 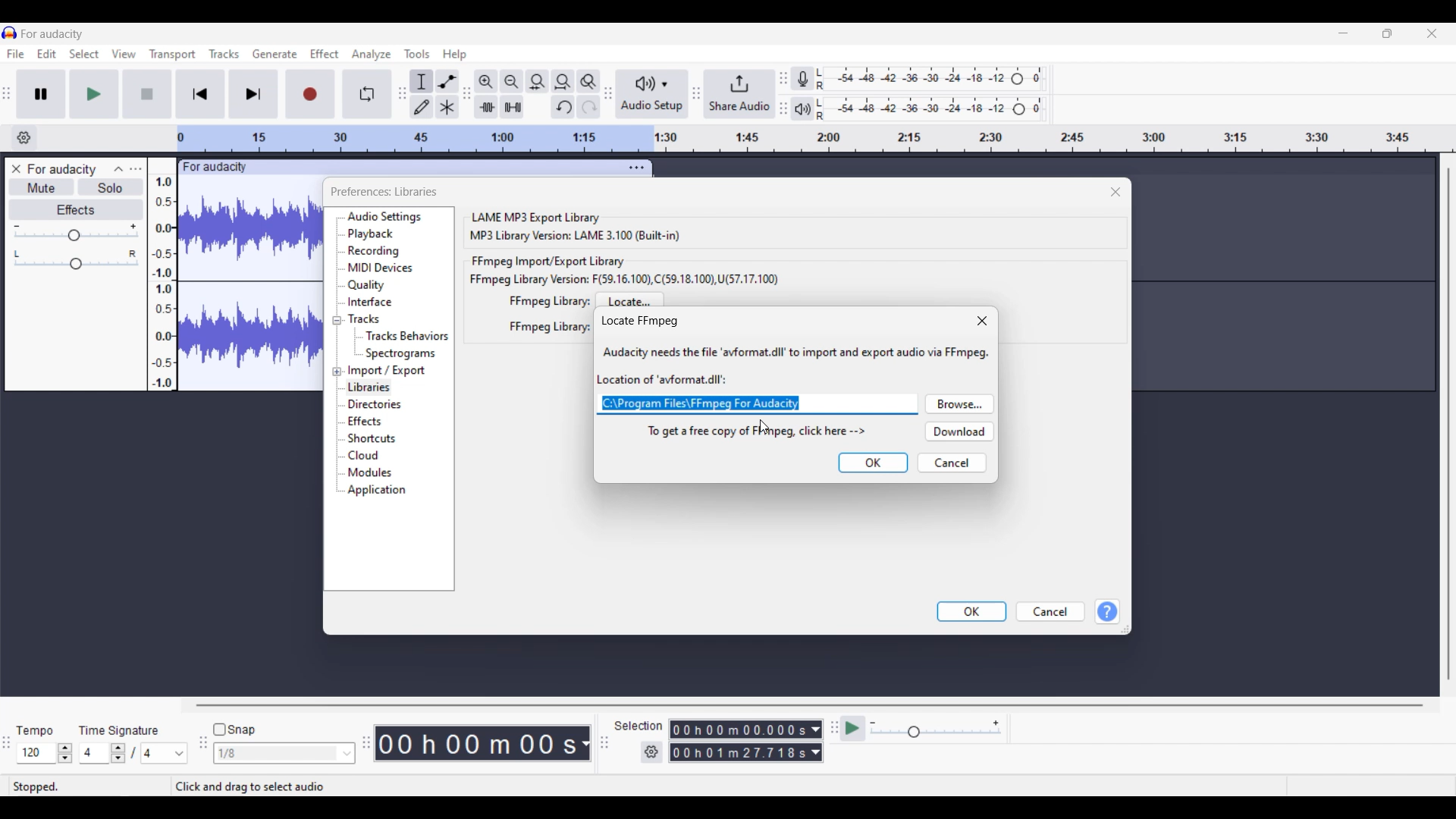 I want to click on Cloud , so click(x=365, y=455).